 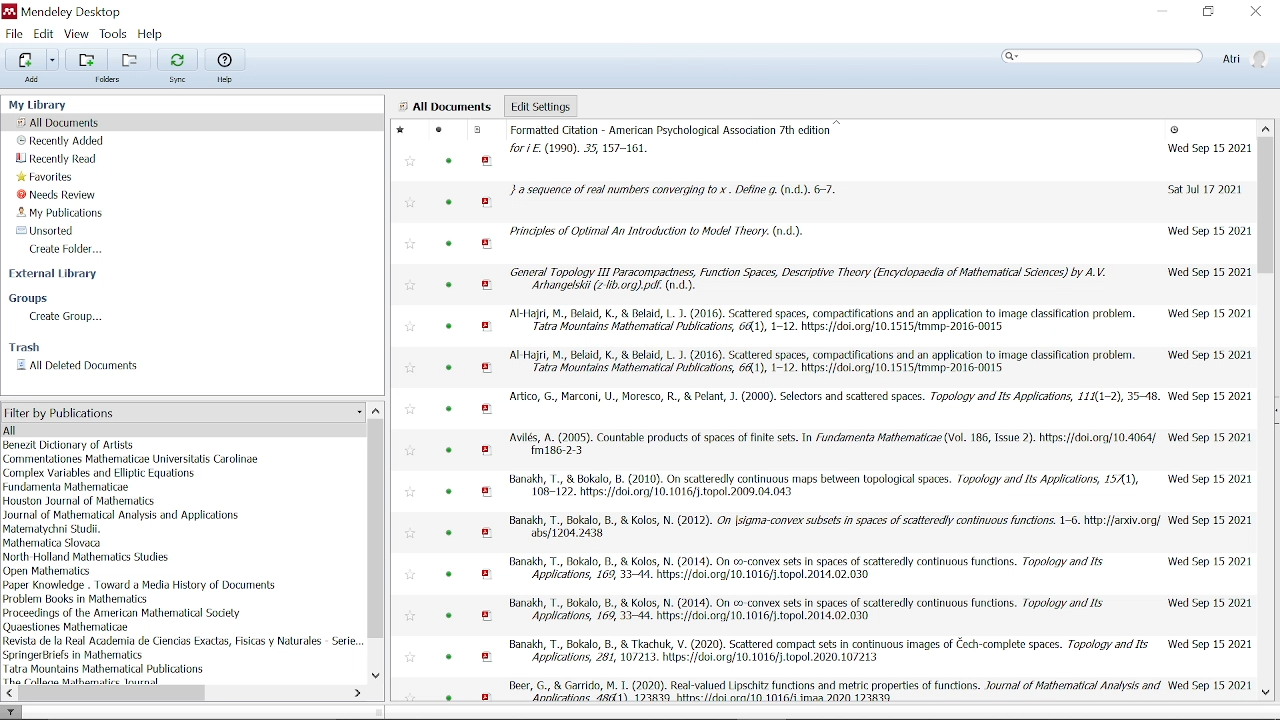 What do you see at coordinates (477, 130) in the screenshot?
I see `document` at bounding box center [477, 130].